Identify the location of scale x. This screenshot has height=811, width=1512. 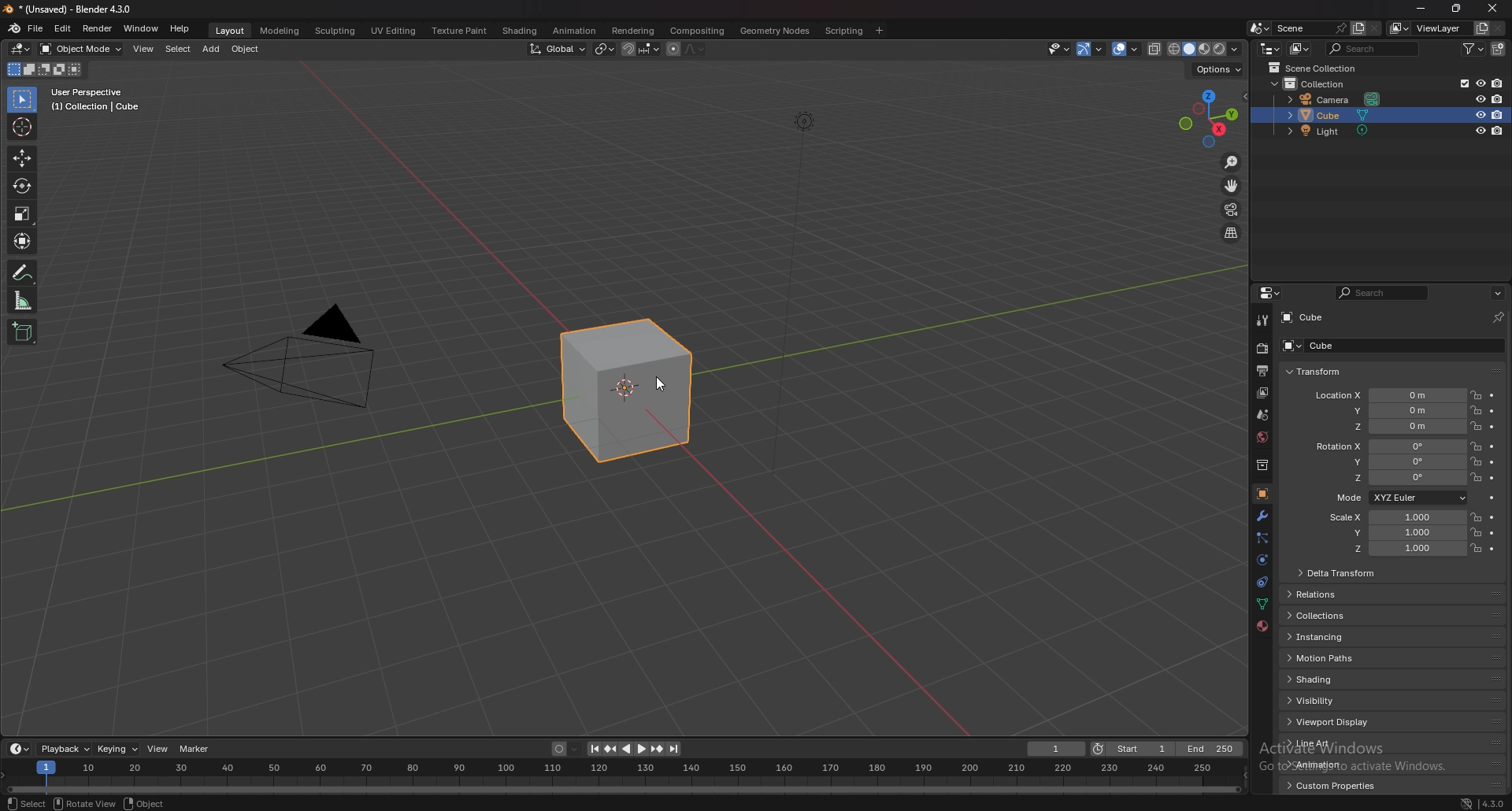
(1394, 518).